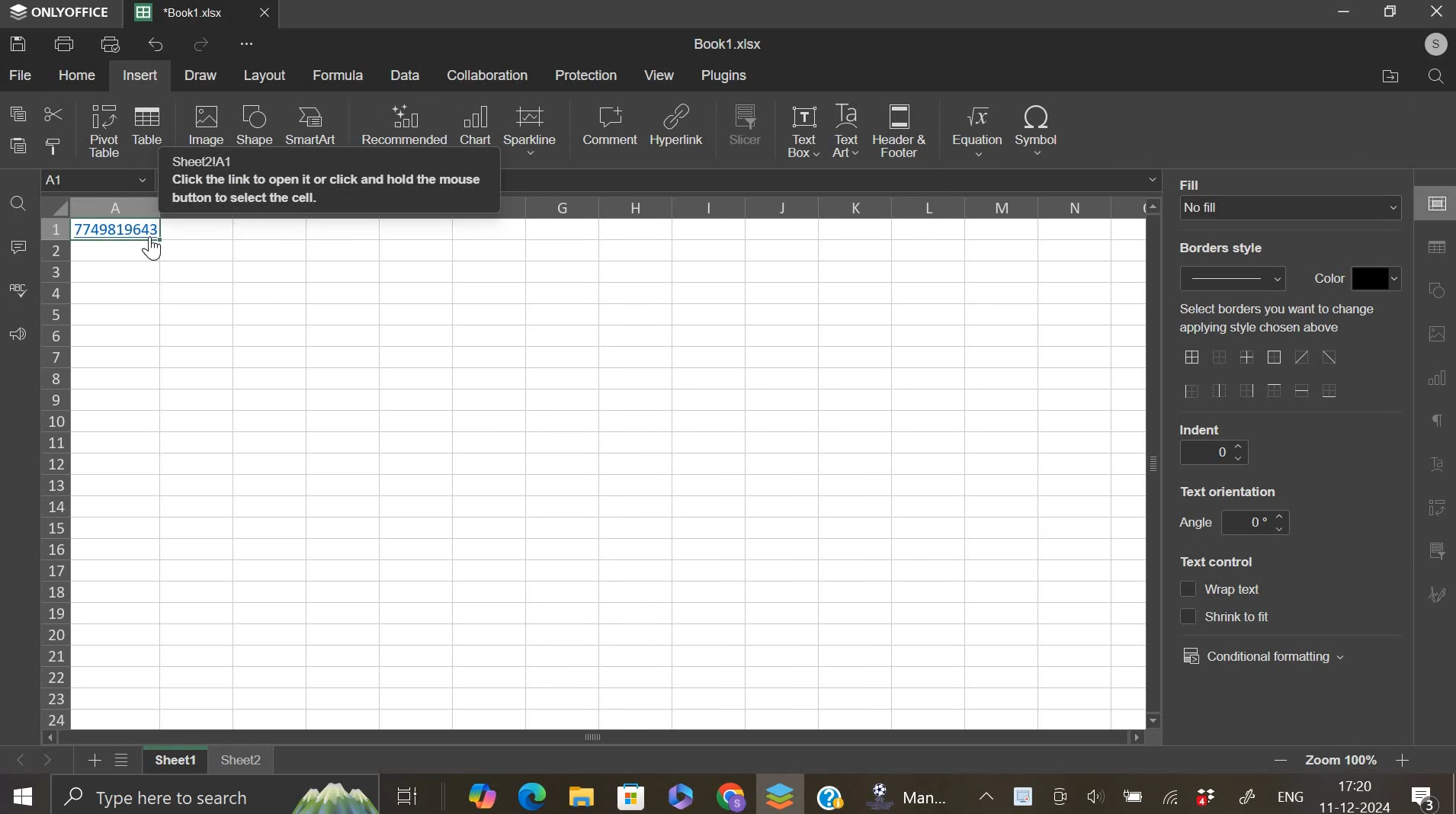 Image resolution: width=1456 pixels, height=814 pixels. What do you see at coordinates (54, 473) in the screenshot?
I see `row` at bounding box center [54, 473].